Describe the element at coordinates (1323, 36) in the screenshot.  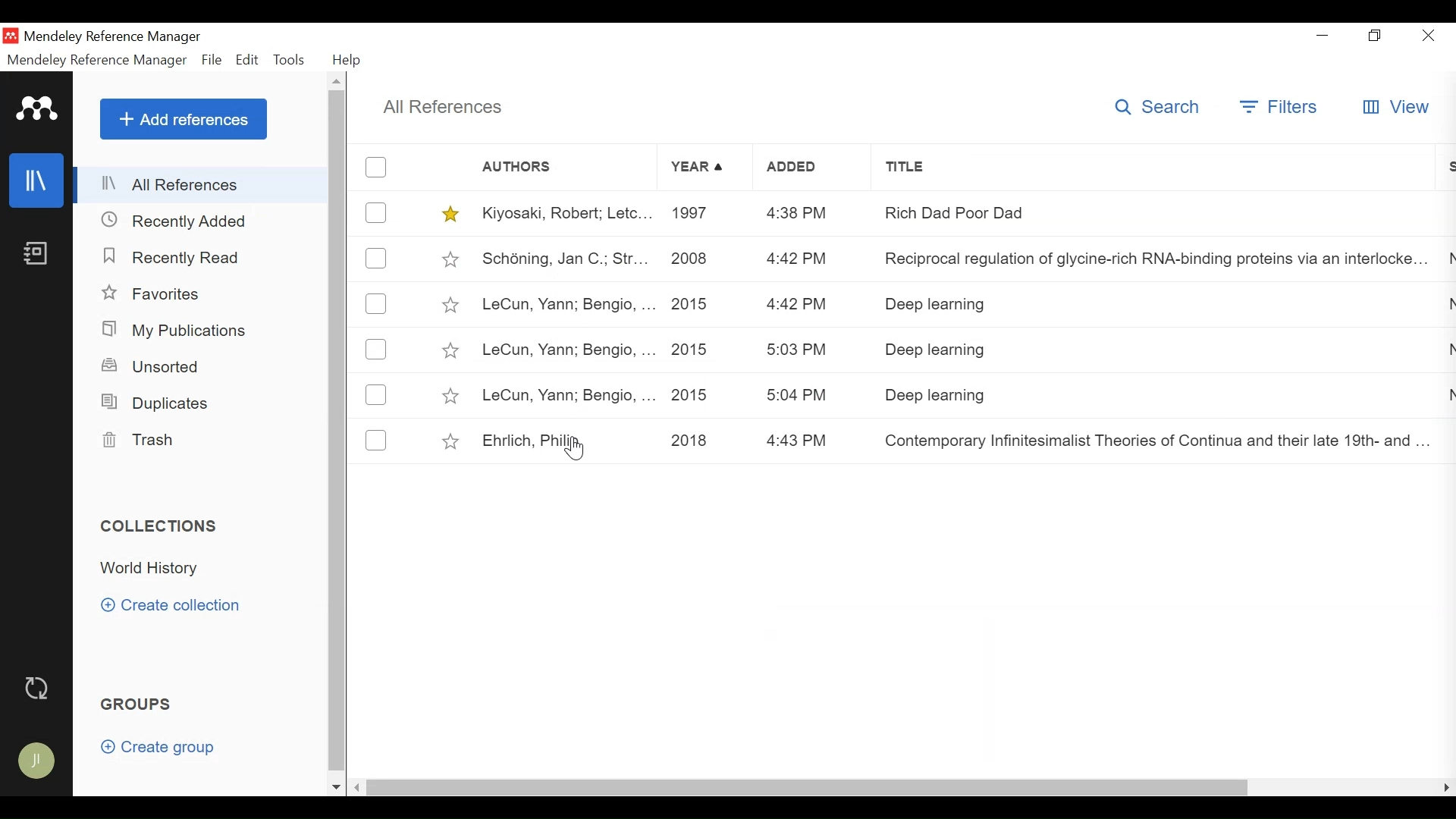
I see `minimize` at that location.